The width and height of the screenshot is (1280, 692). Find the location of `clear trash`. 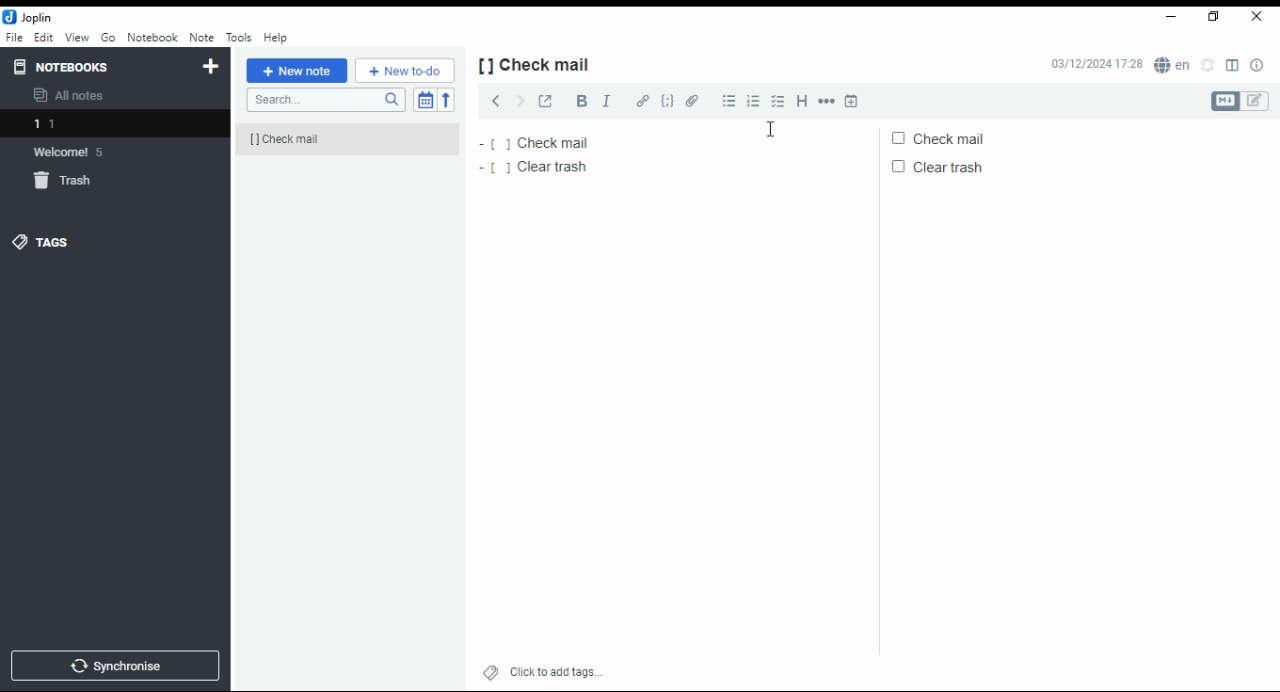

clear trash is located at coordinates (948, 165).